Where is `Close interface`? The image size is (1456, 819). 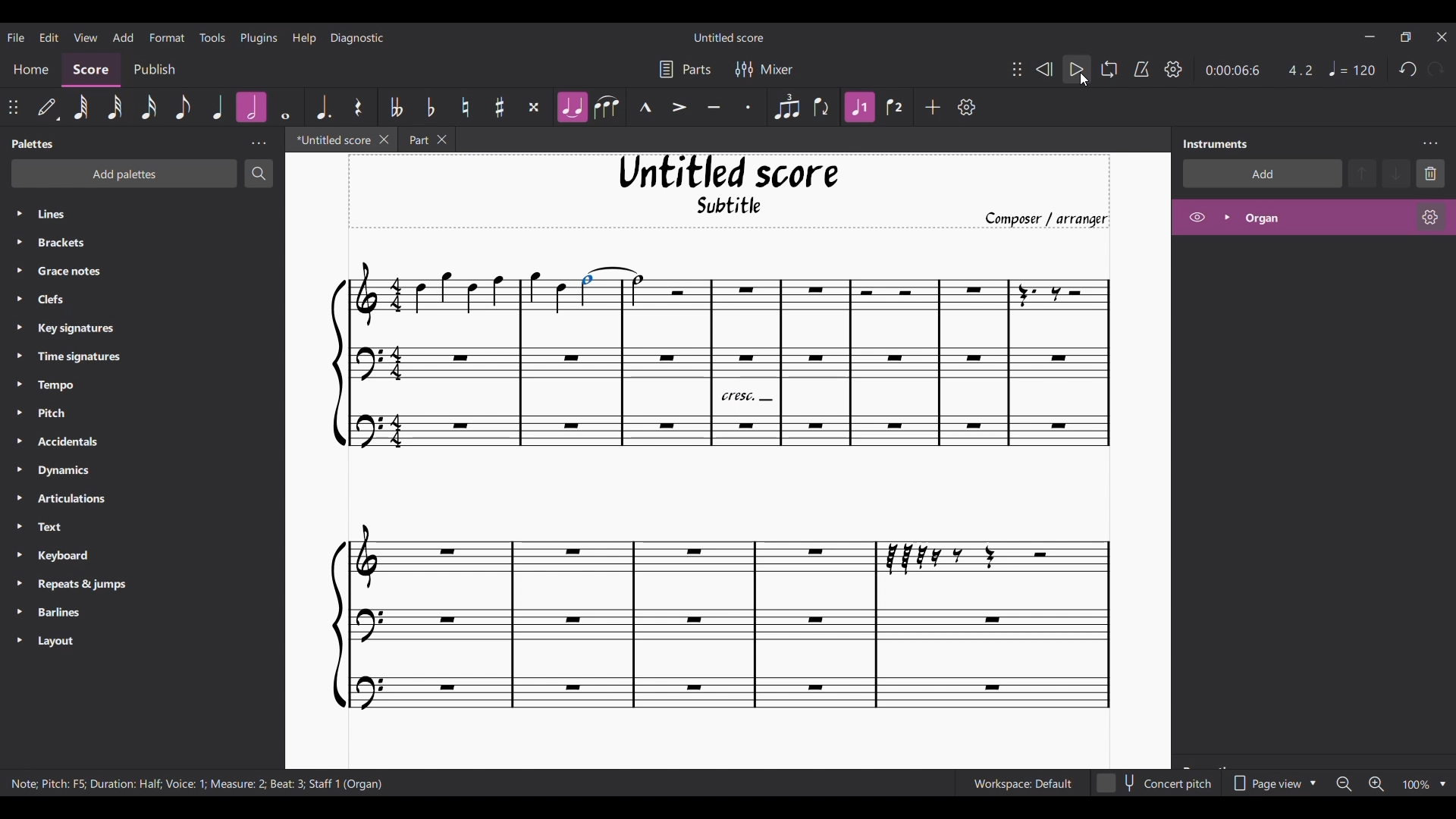 Close interface is located at coordinates (1442, 37).